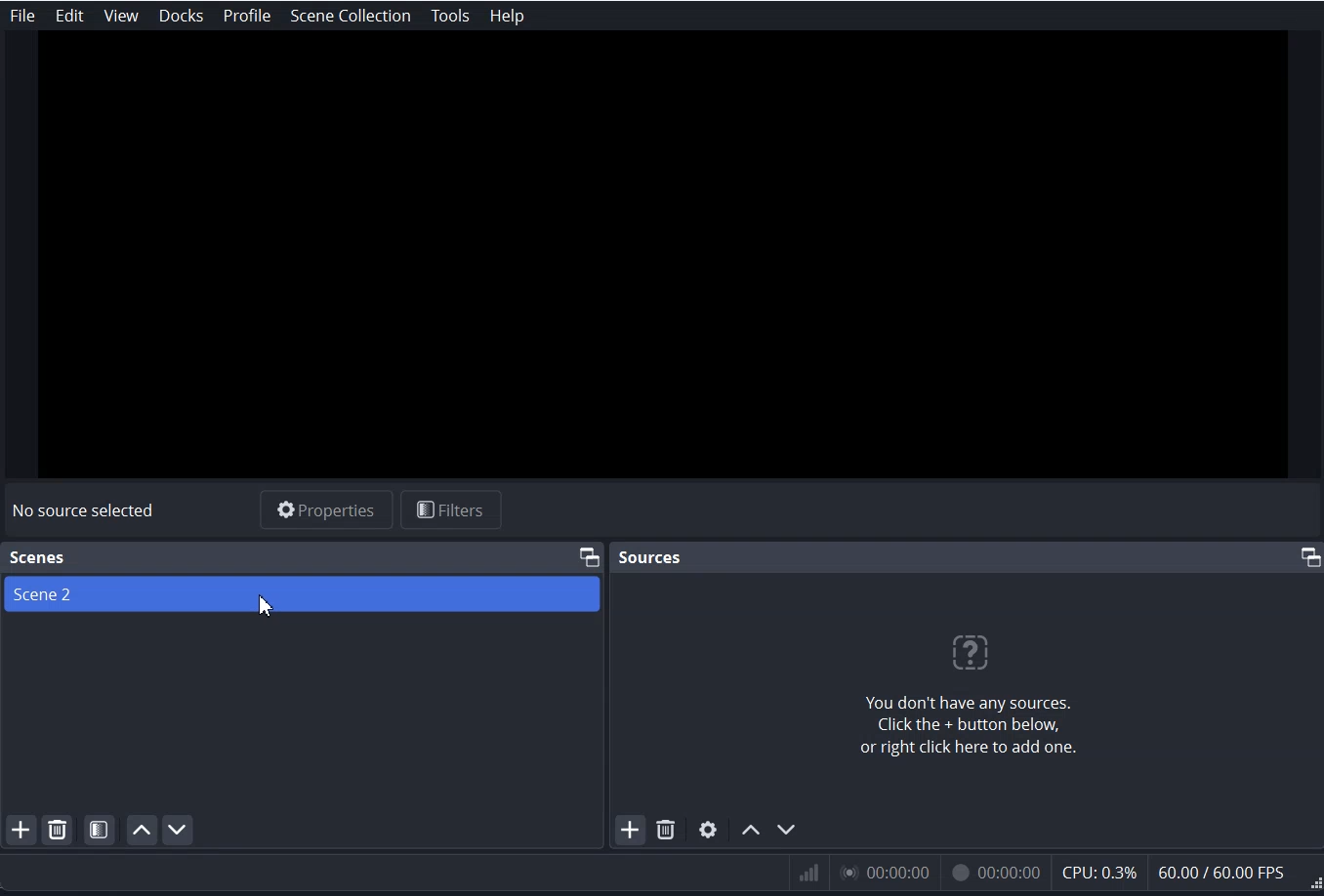 Image resolution: width=1324 pixels, height=896 pixels. What do you see at coordinates (349, 16) in the screenshot?
I see `Scene Collection` at bounding box center [349, 16].